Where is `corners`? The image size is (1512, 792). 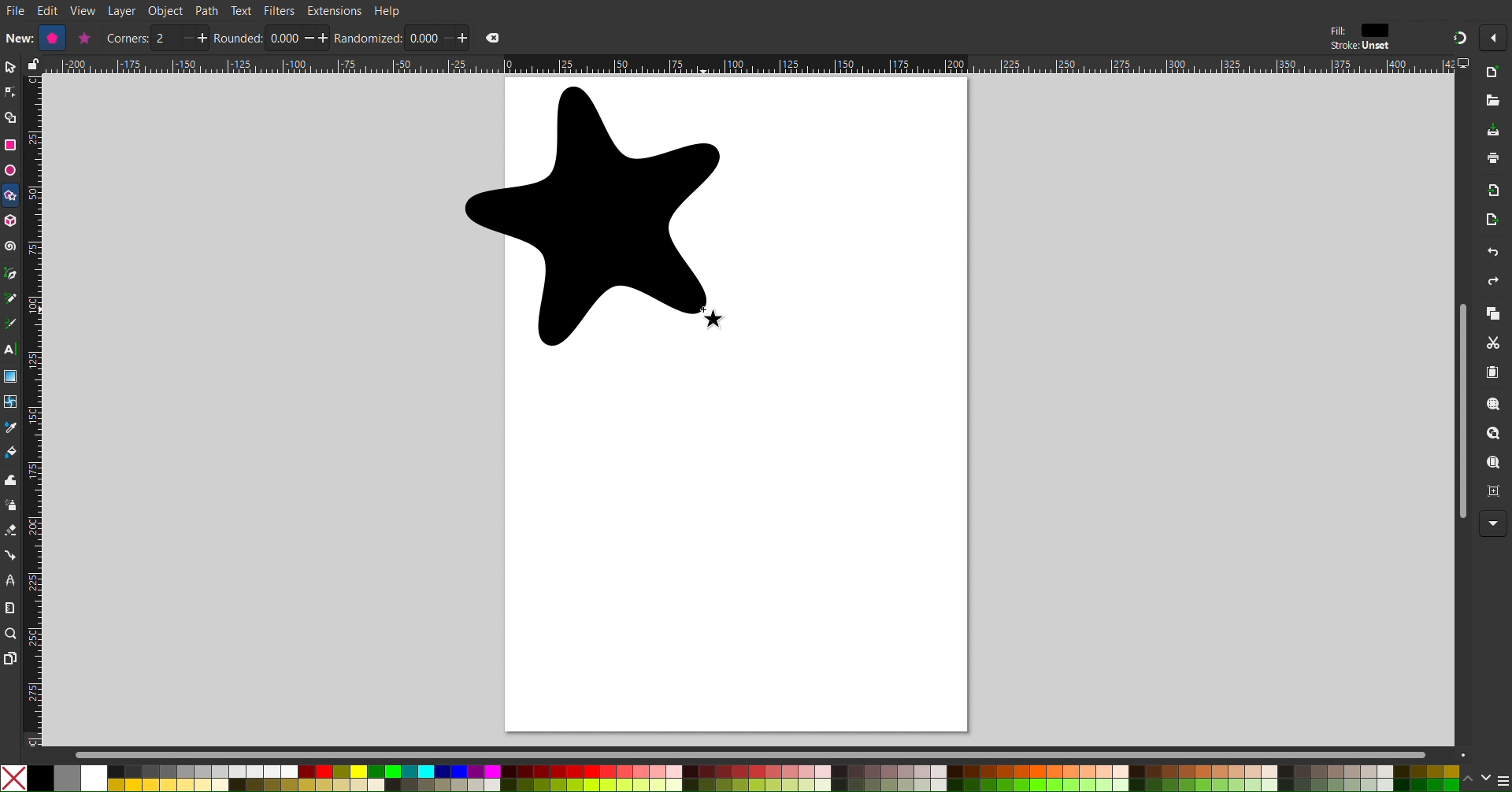 corners is located at coordinates (127, 39).